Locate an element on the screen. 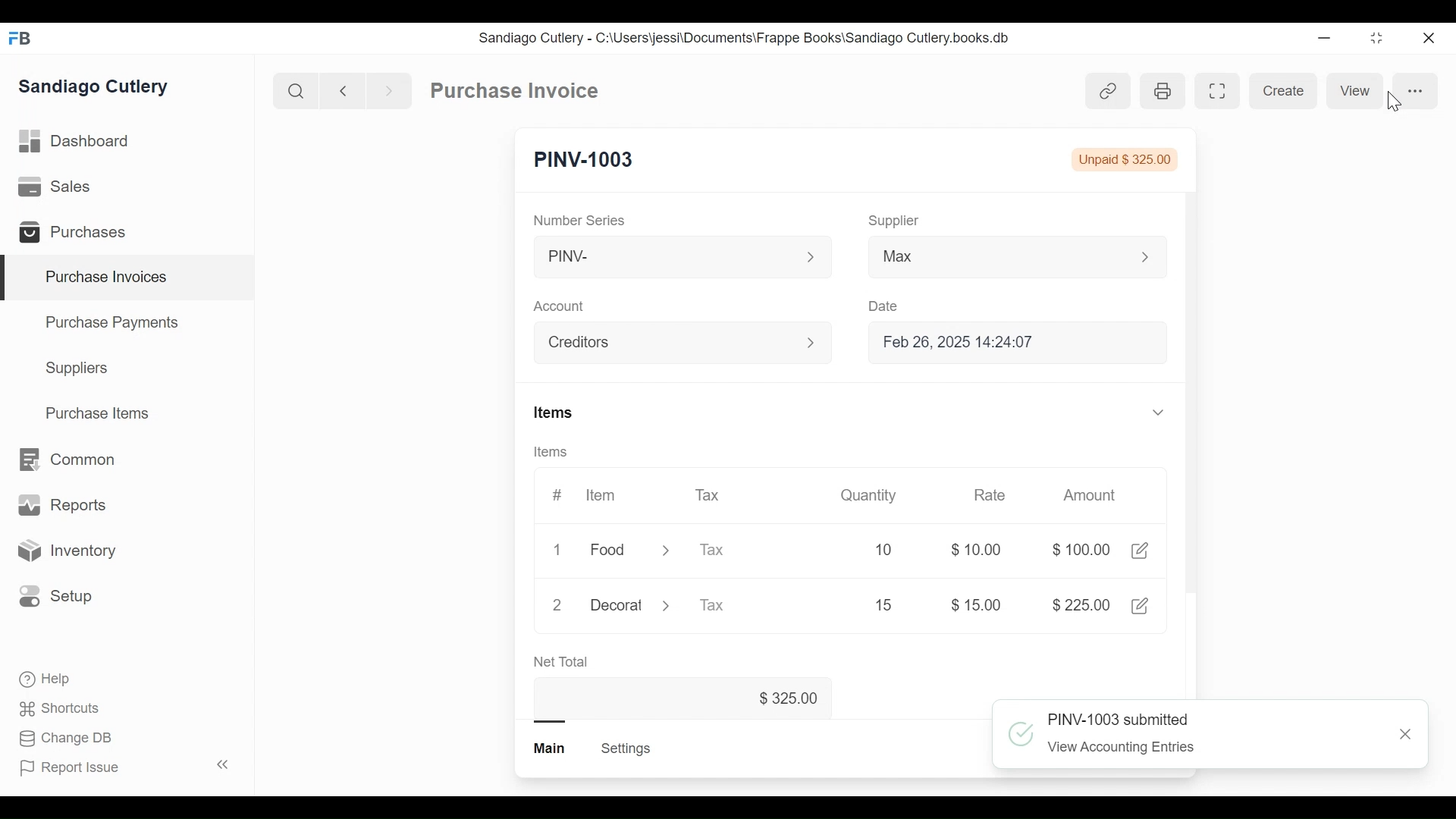 This screenshot has height=819, width=1456. Purchases is located at coordinates (79, 234).